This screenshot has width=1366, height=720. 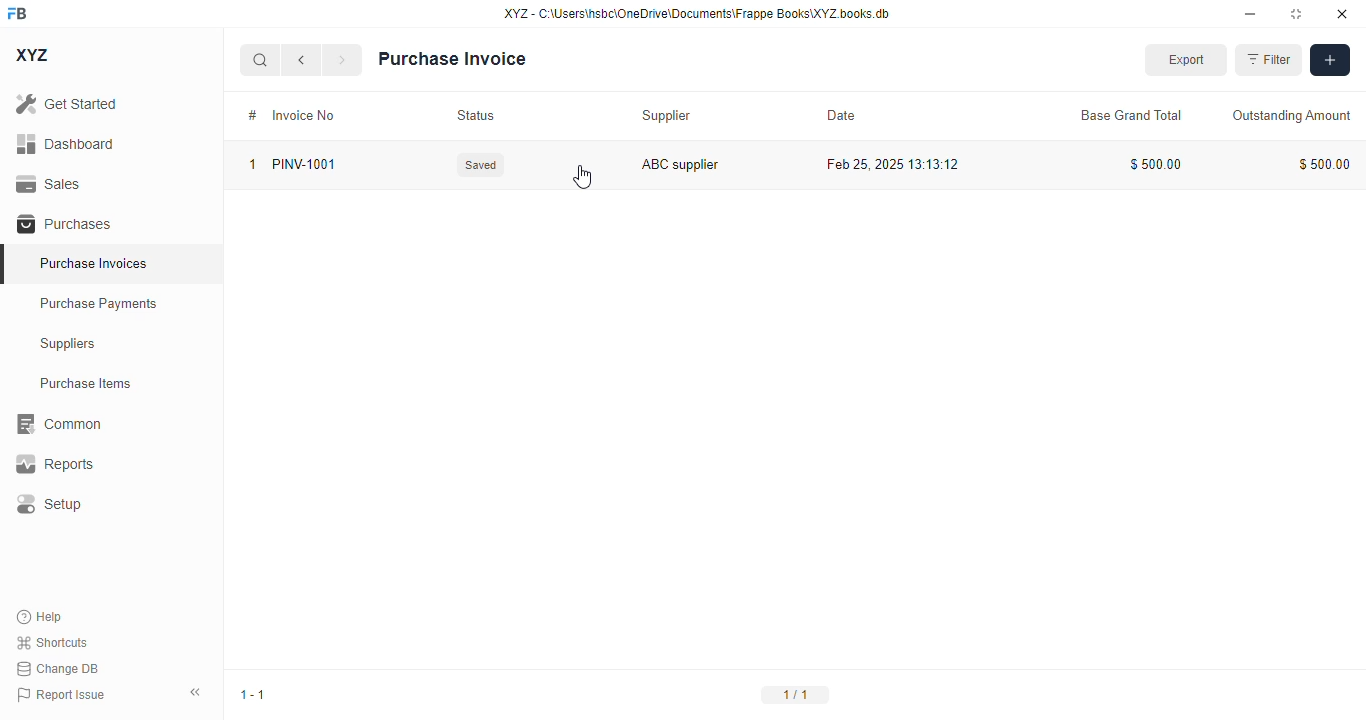 What do you see at coordinates (342, 60) in the screenshot?
I see `next` at bounding box center [342, 60].